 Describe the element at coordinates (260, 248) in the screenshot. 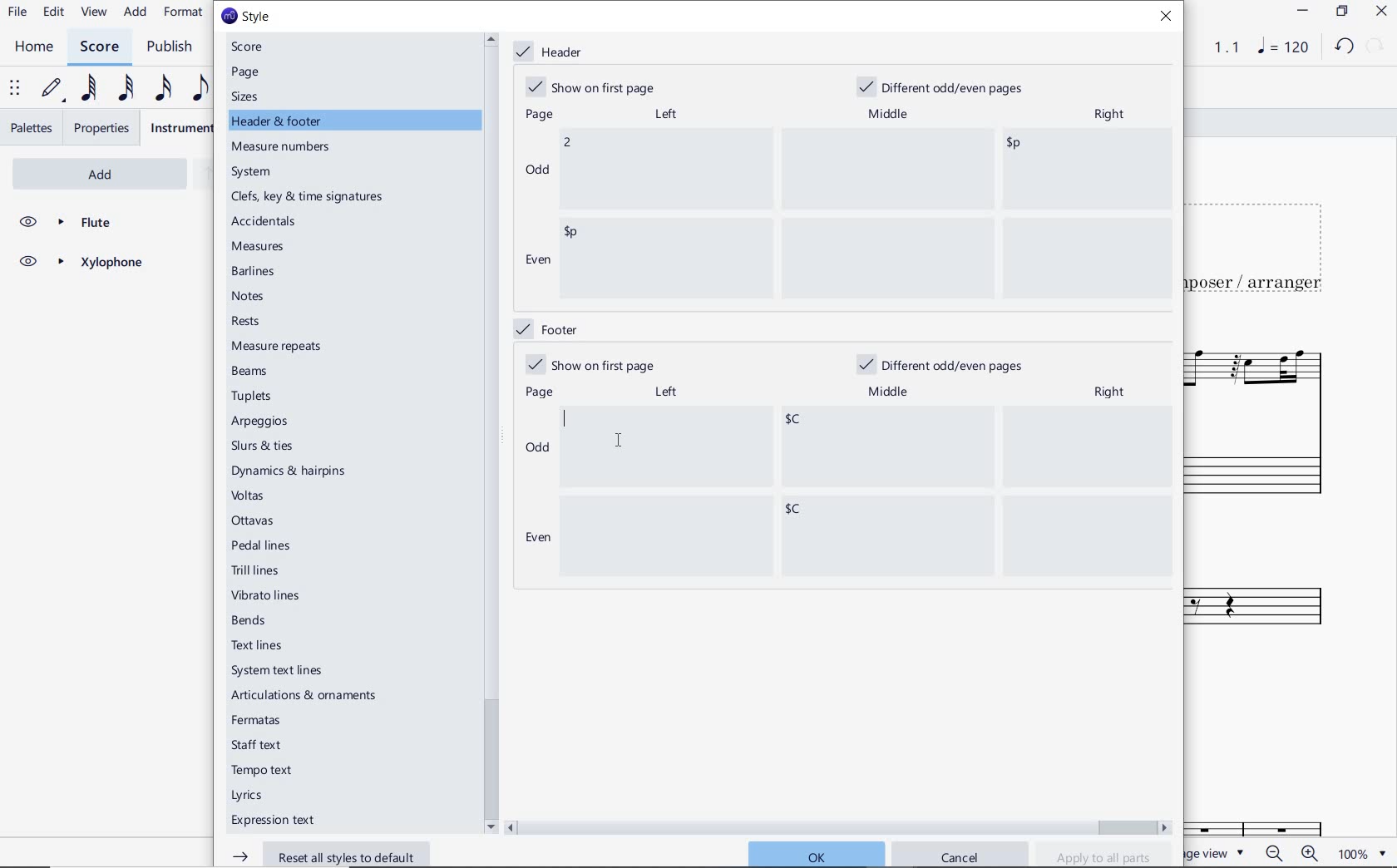

I see `measures` at that location.